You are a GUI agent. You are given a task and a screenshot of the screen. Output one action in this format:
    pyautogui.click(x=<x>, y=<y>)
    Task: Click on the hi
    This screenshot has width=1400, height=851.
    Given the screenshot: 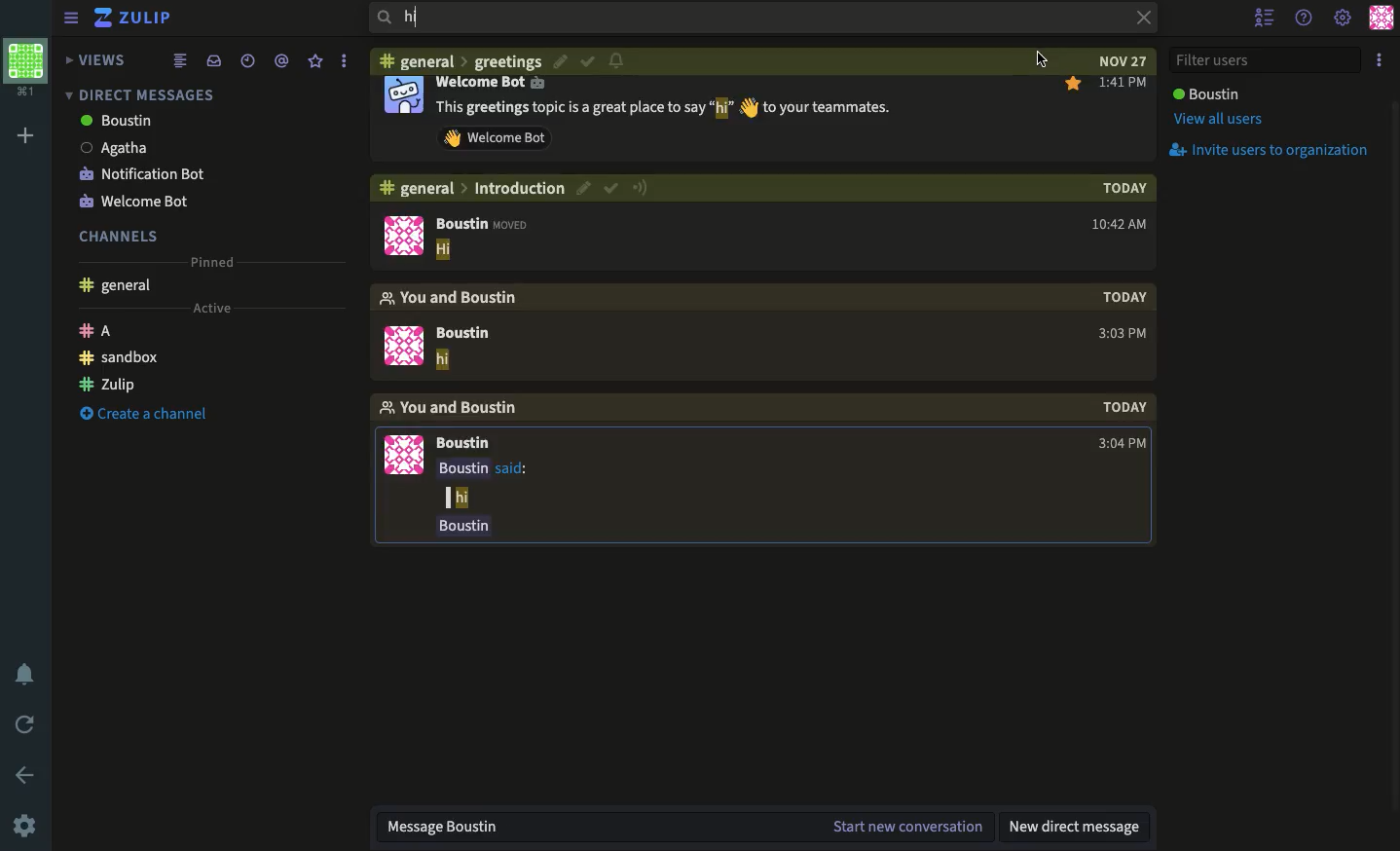 What is the action you would take?
    pyautogui.click(x=443, y=360)
    